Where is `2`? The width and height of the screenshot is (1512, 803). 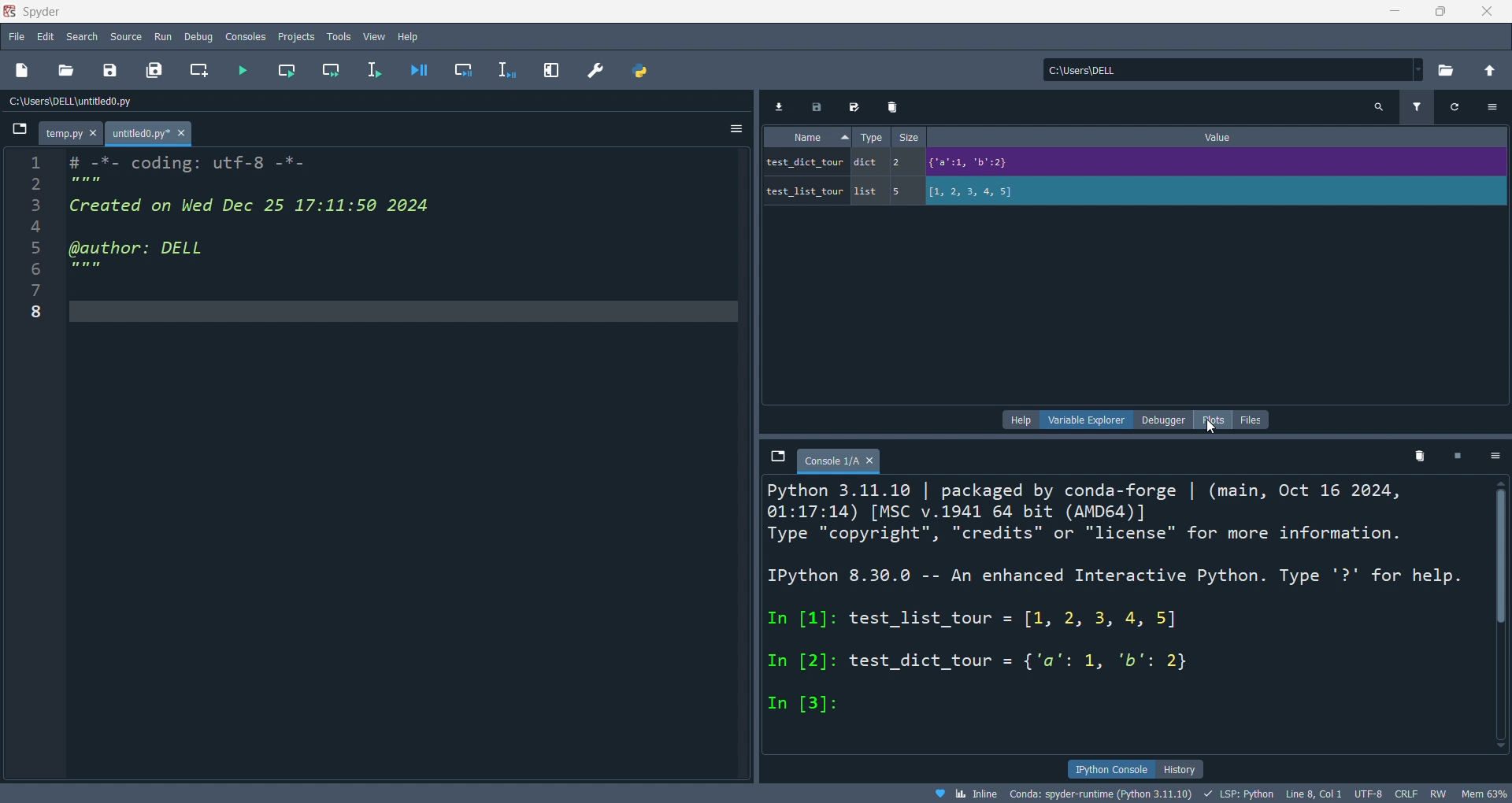 2 is located at coordinates (899, 163).